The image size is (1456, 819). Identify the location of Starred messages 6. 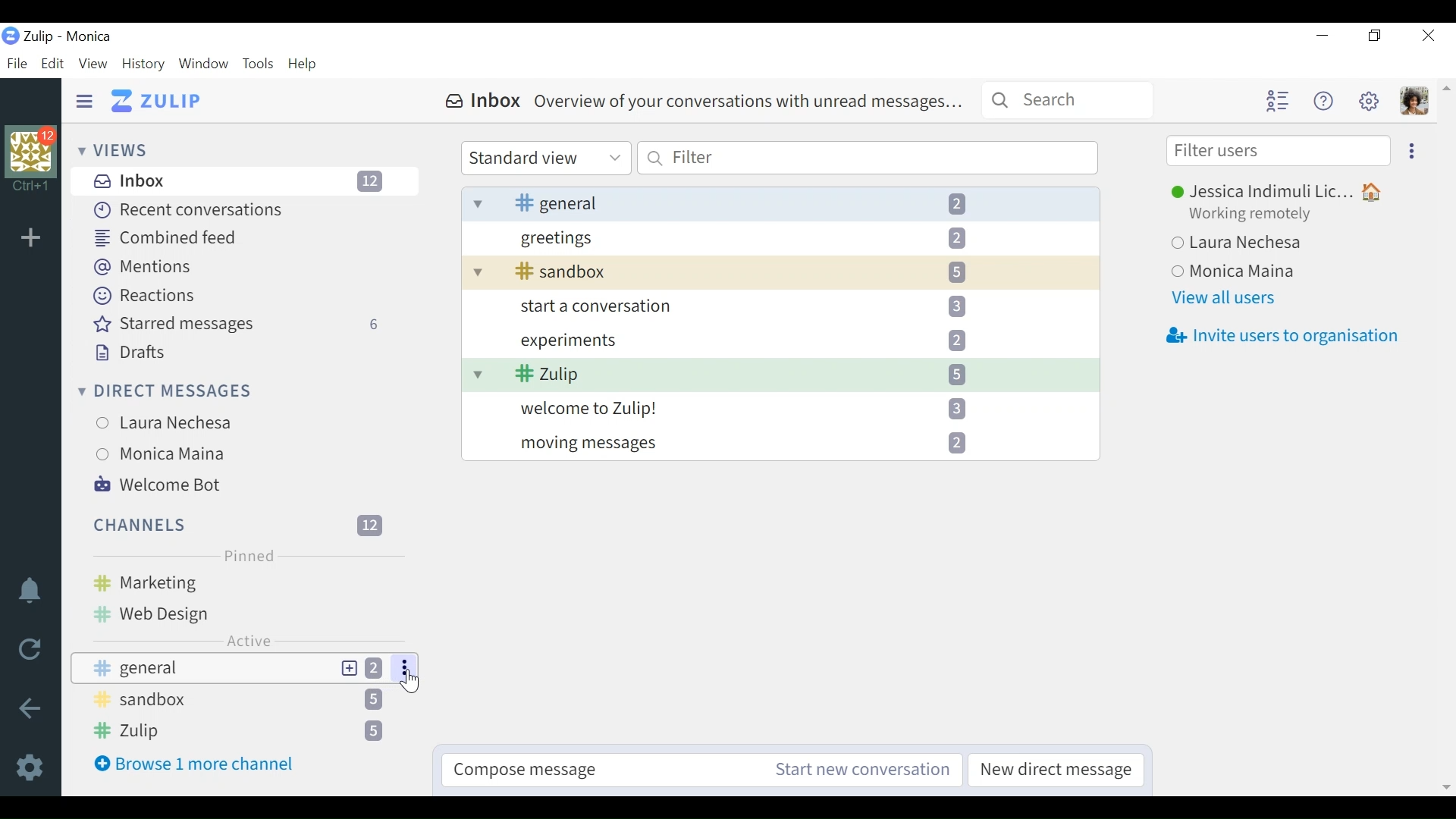
(242, 325).